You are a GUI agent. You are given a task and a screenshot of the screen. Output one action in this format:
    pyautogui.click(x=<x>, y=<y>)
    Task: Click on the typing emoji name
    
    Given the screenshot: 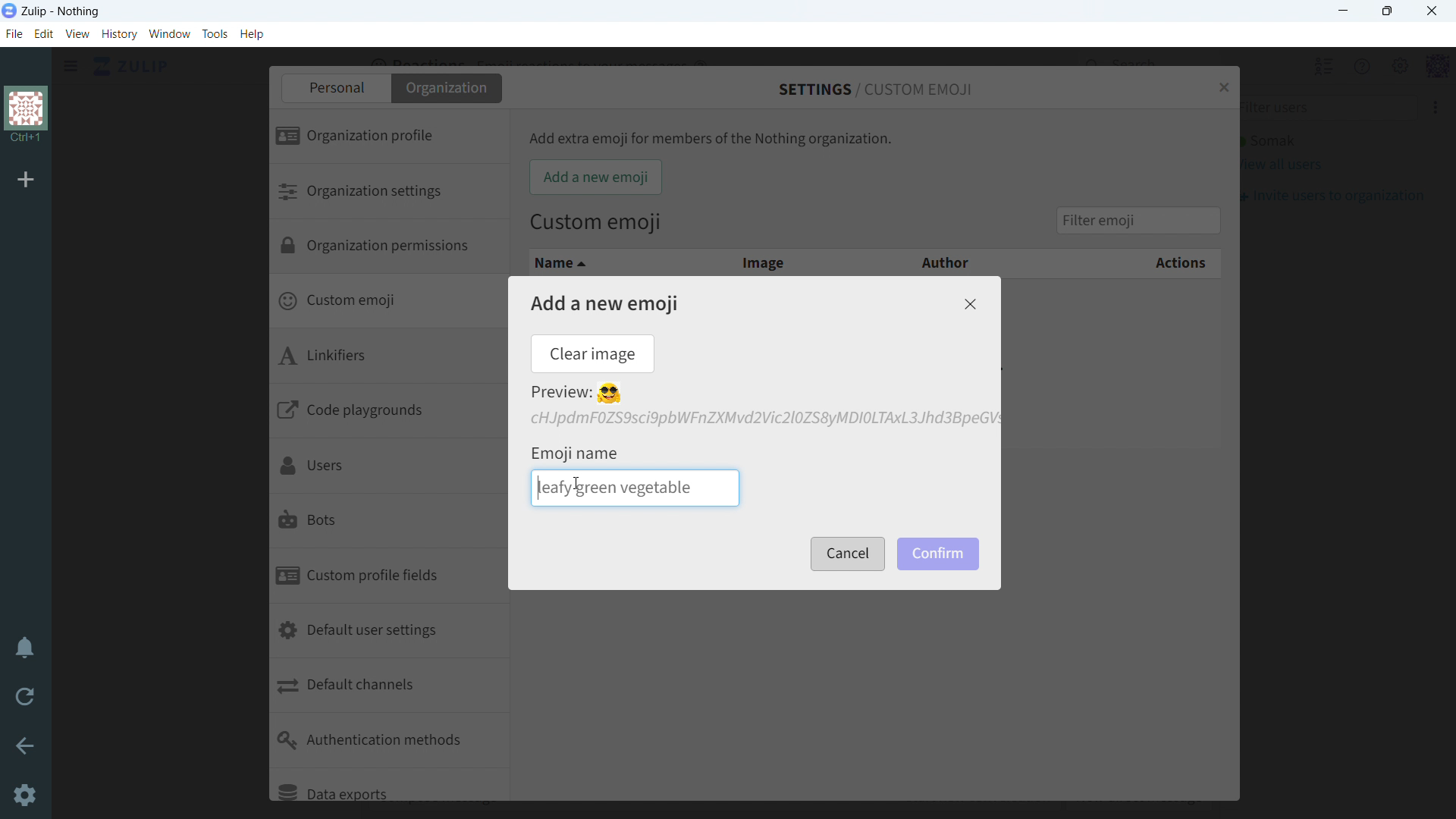 What is the action you would take?
    pyautogui.click(x=634, y=488)
    